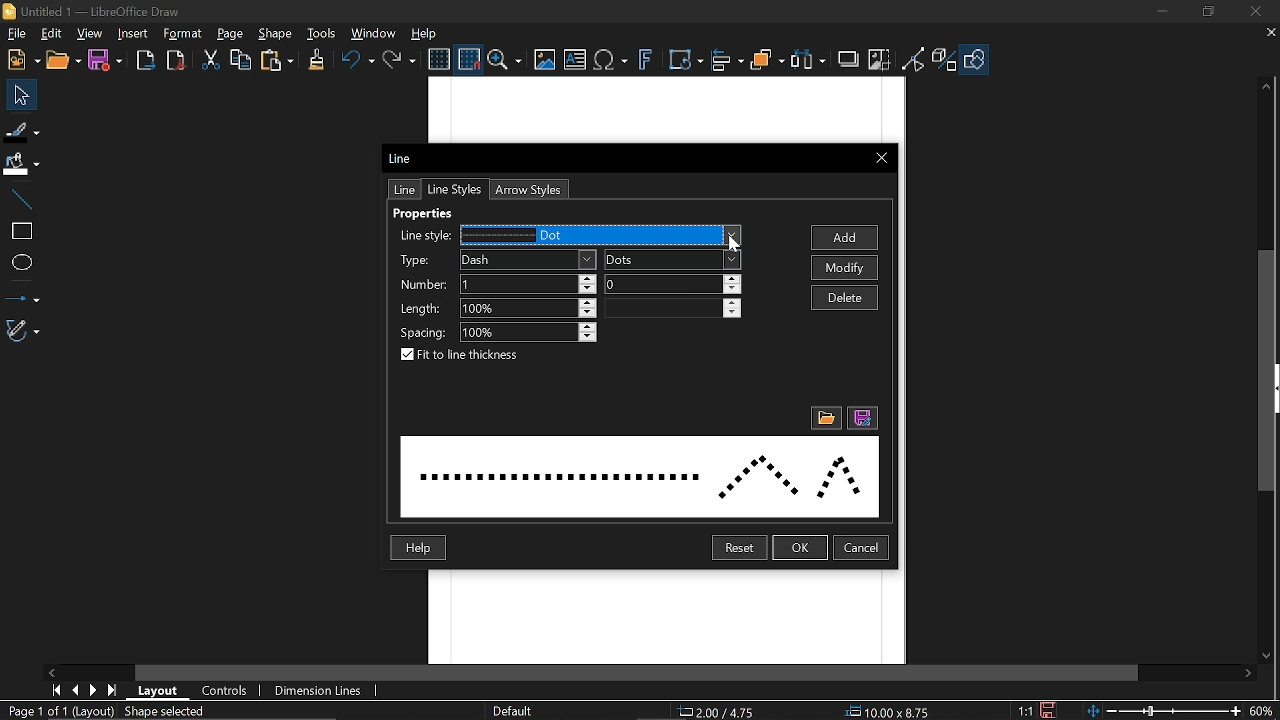 This screenshot has width=1280, height=720. I want to click on Line, so click(400, 158).